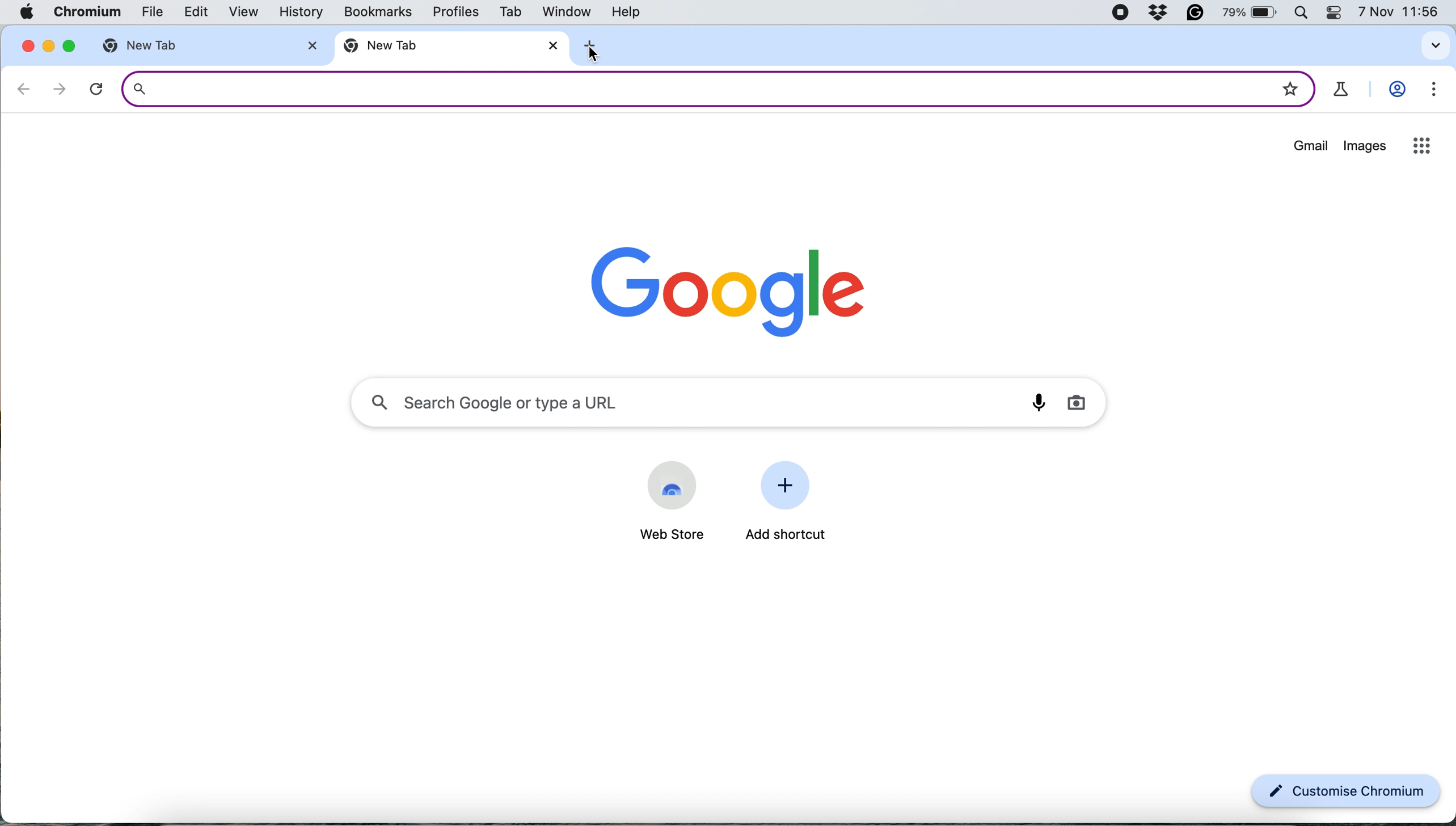 This screenshot has width=1456, height=826. Describe the element at coordinates (687, 88) in the screenshot. I see `search bar` at that location.